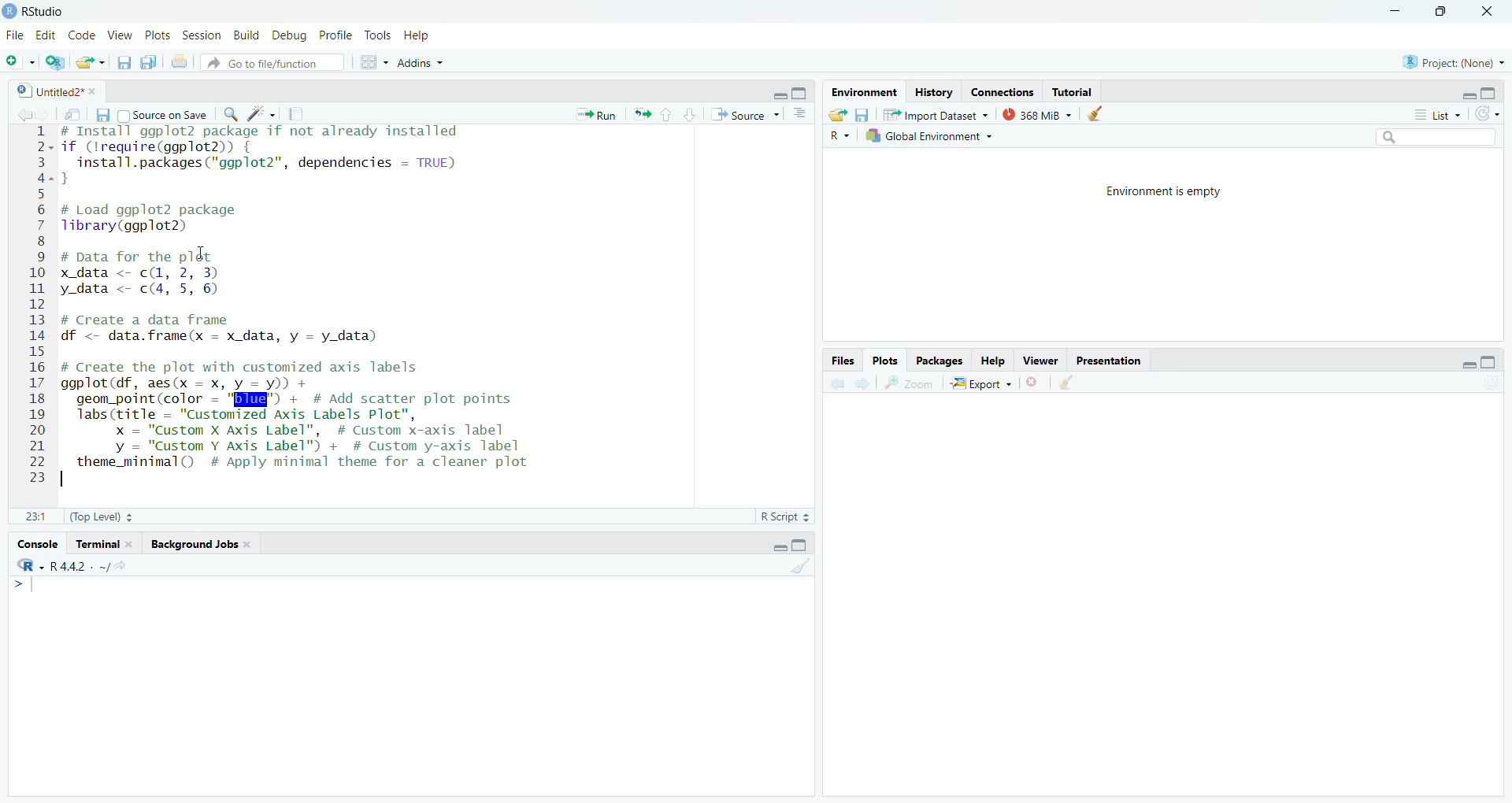  Describe the element at coordinates (57, 63) in the screenshot. I see `add script` at that location.